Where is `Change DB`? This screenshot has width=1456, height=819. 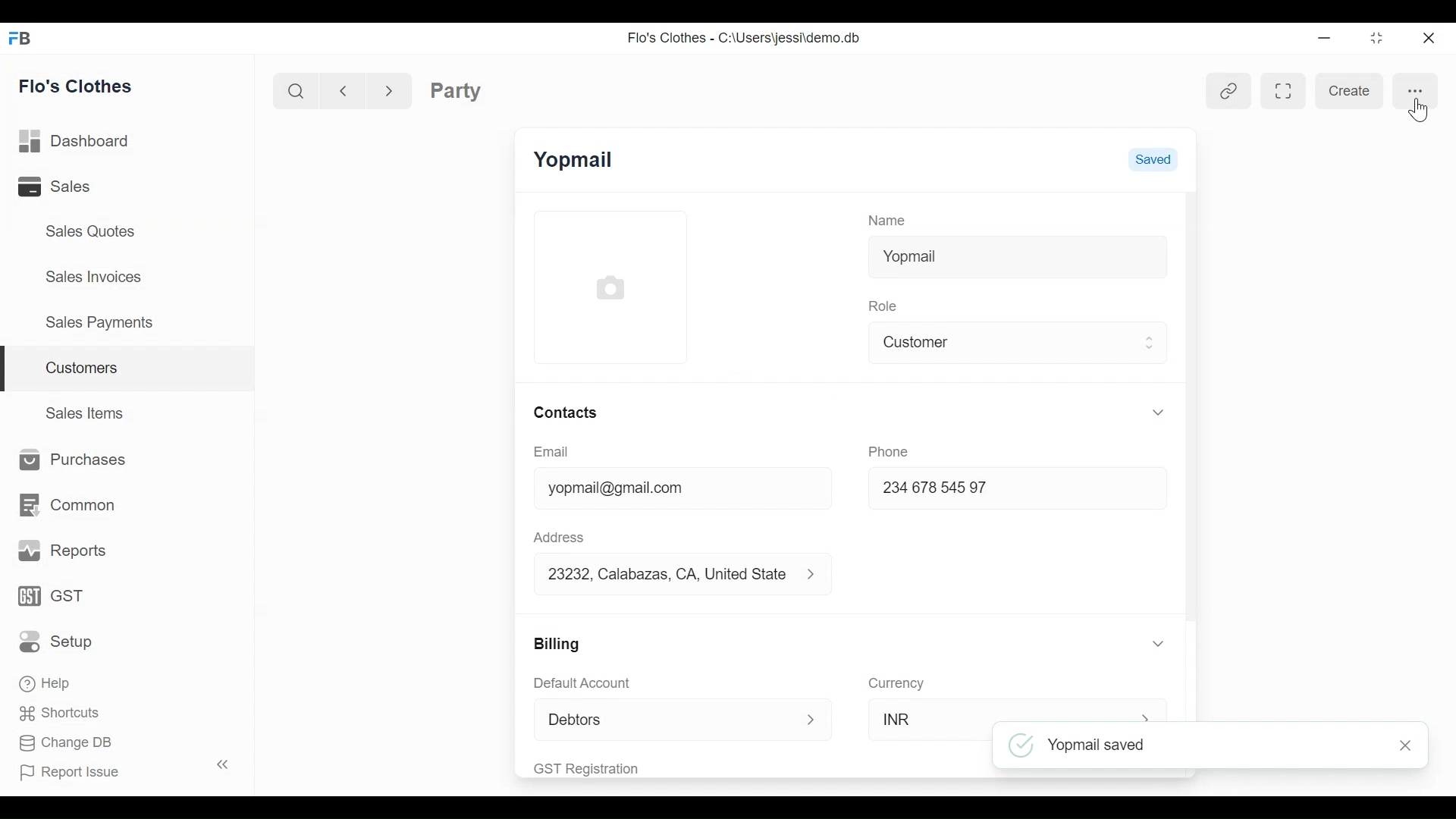
Change DB is located at coordinates (67, 745).